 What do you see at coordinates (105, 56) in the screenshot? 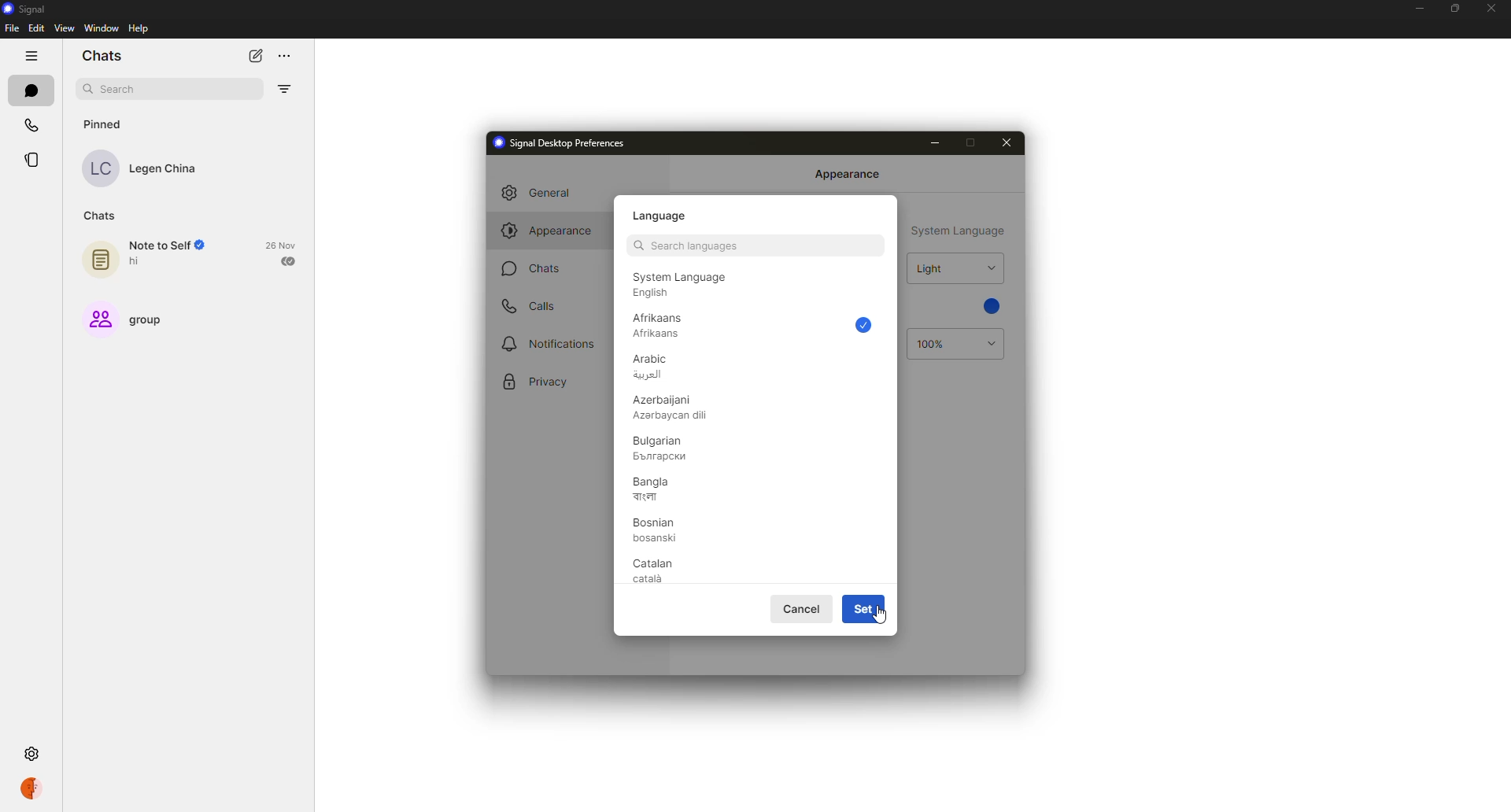
I see `chats` at bounding box center [105, 56].